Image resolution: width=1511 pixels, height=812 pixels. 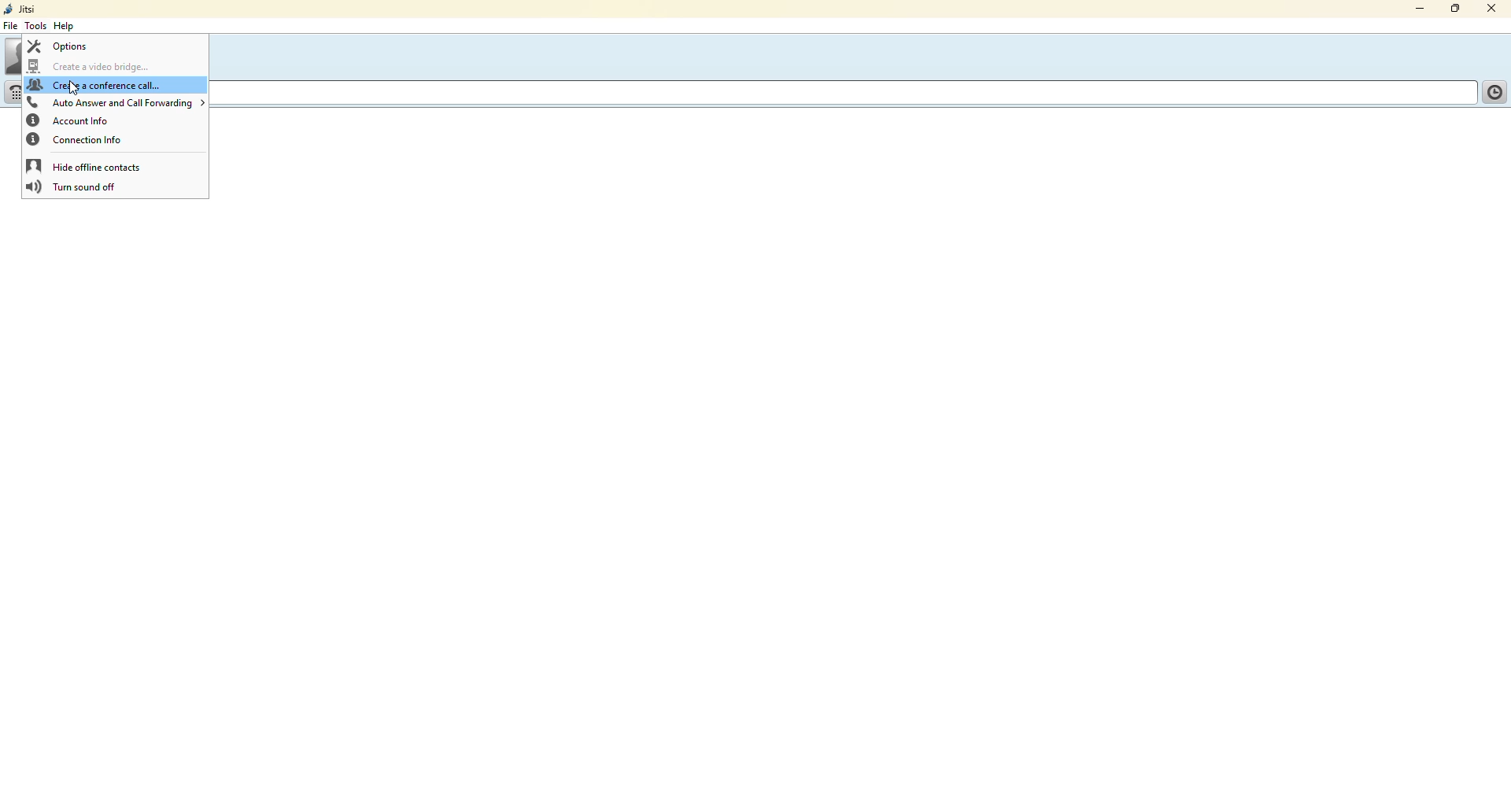 I want to click on create a video bridge, so click(x=91, y=66).